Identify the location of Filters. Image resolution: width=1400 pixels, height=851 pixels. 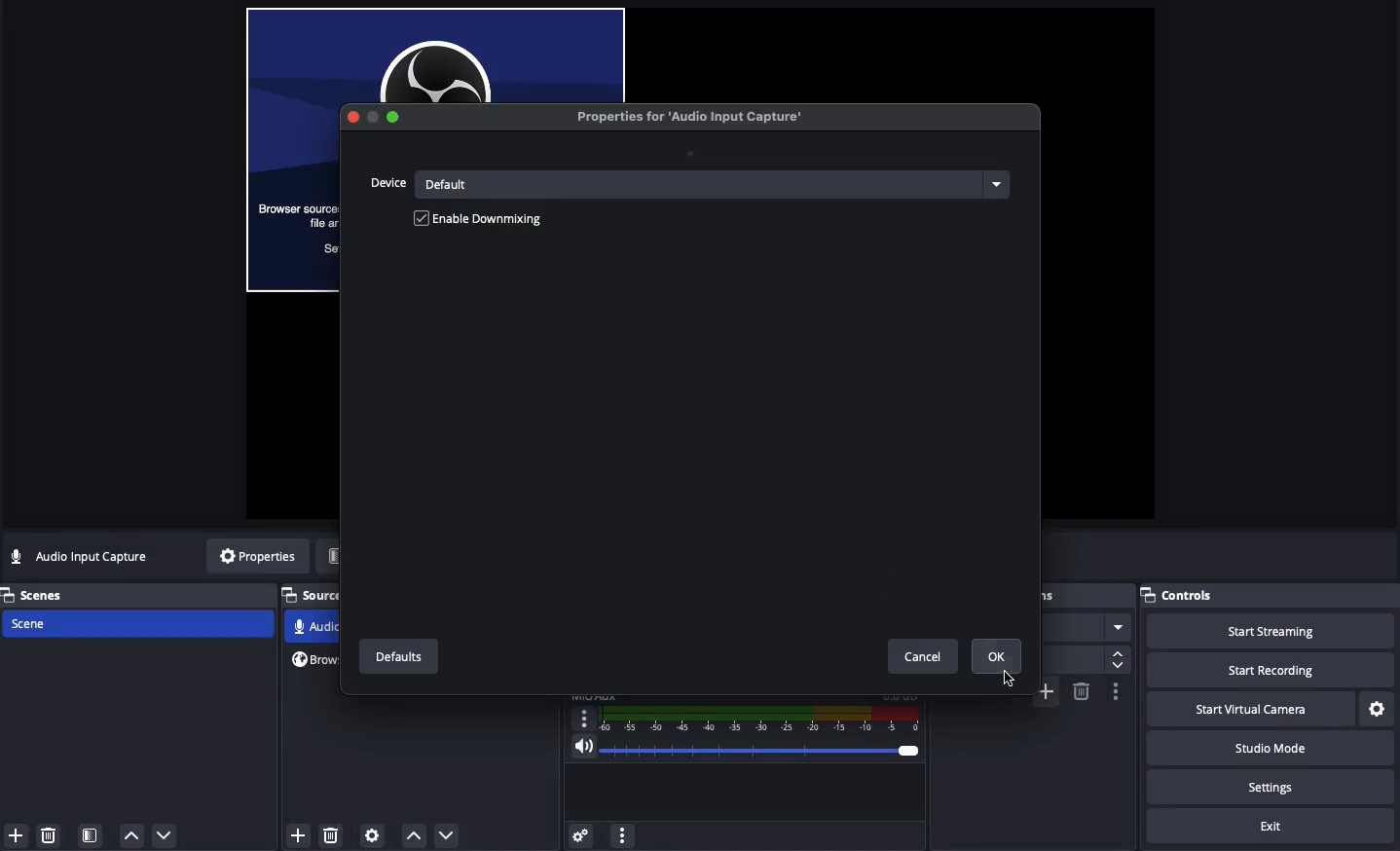
(358, 556).